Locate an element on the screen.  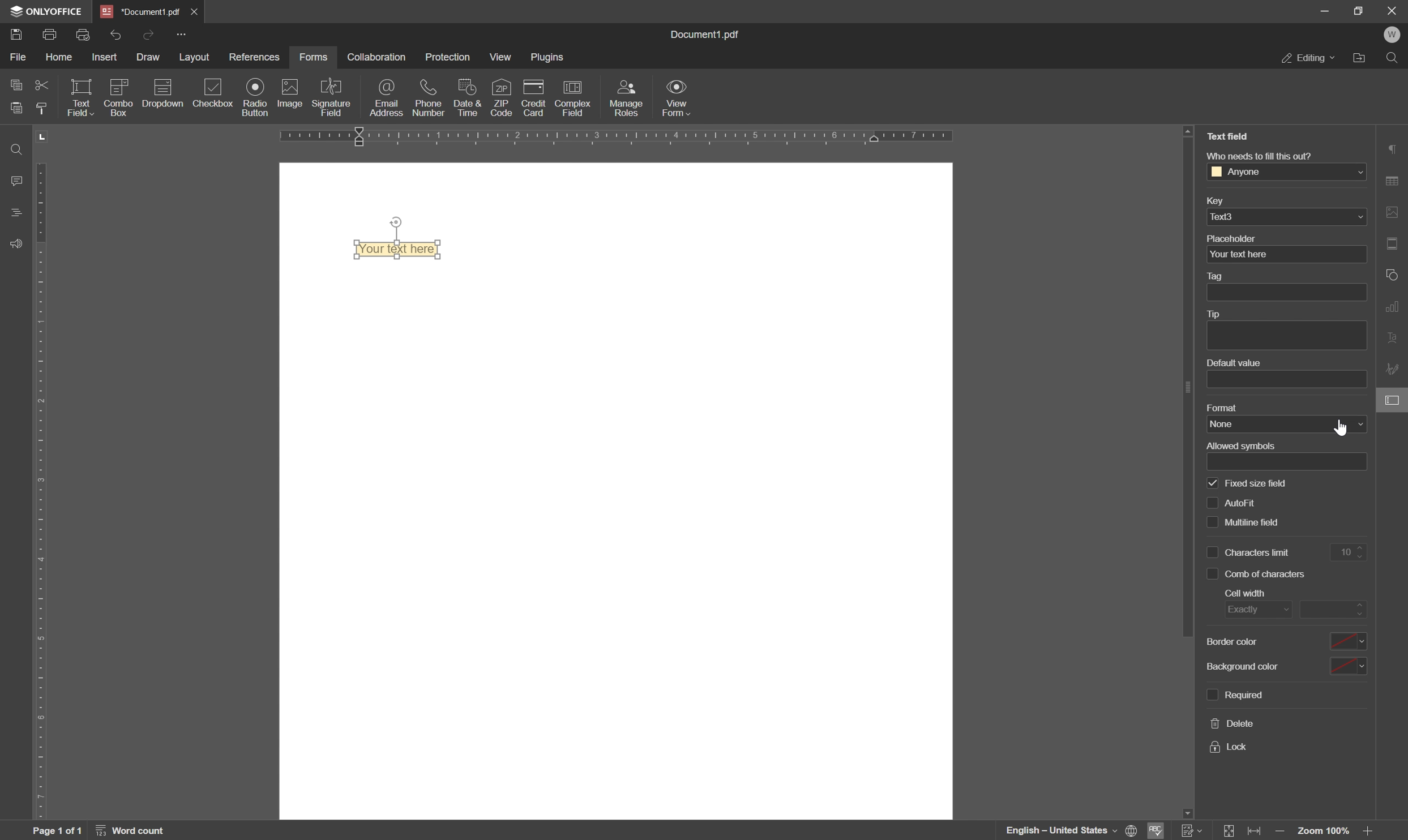
protection is located at coordinates (449, 55).